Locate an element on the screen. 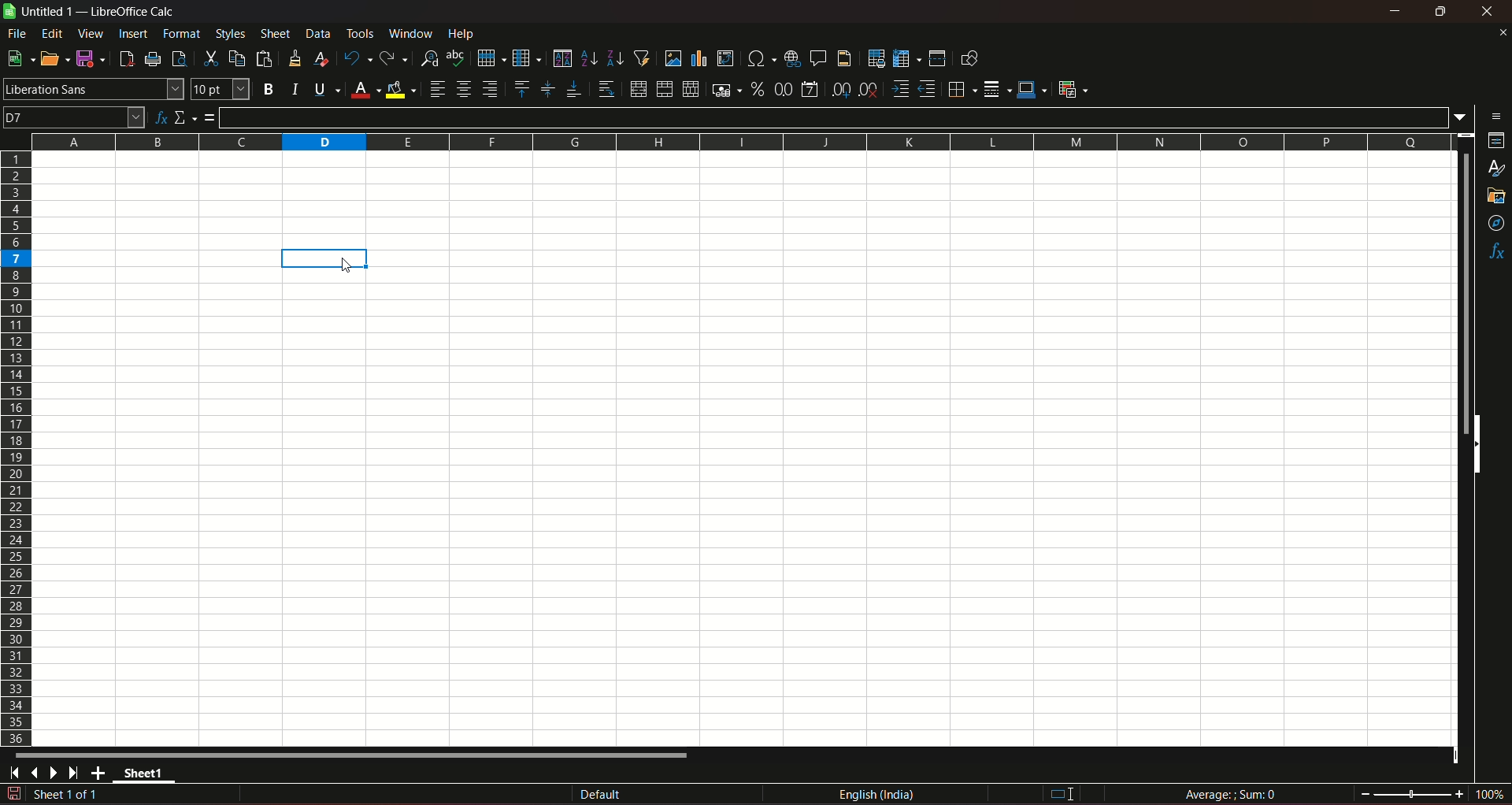  export directly as PDF is located at coordinates (125, 57).